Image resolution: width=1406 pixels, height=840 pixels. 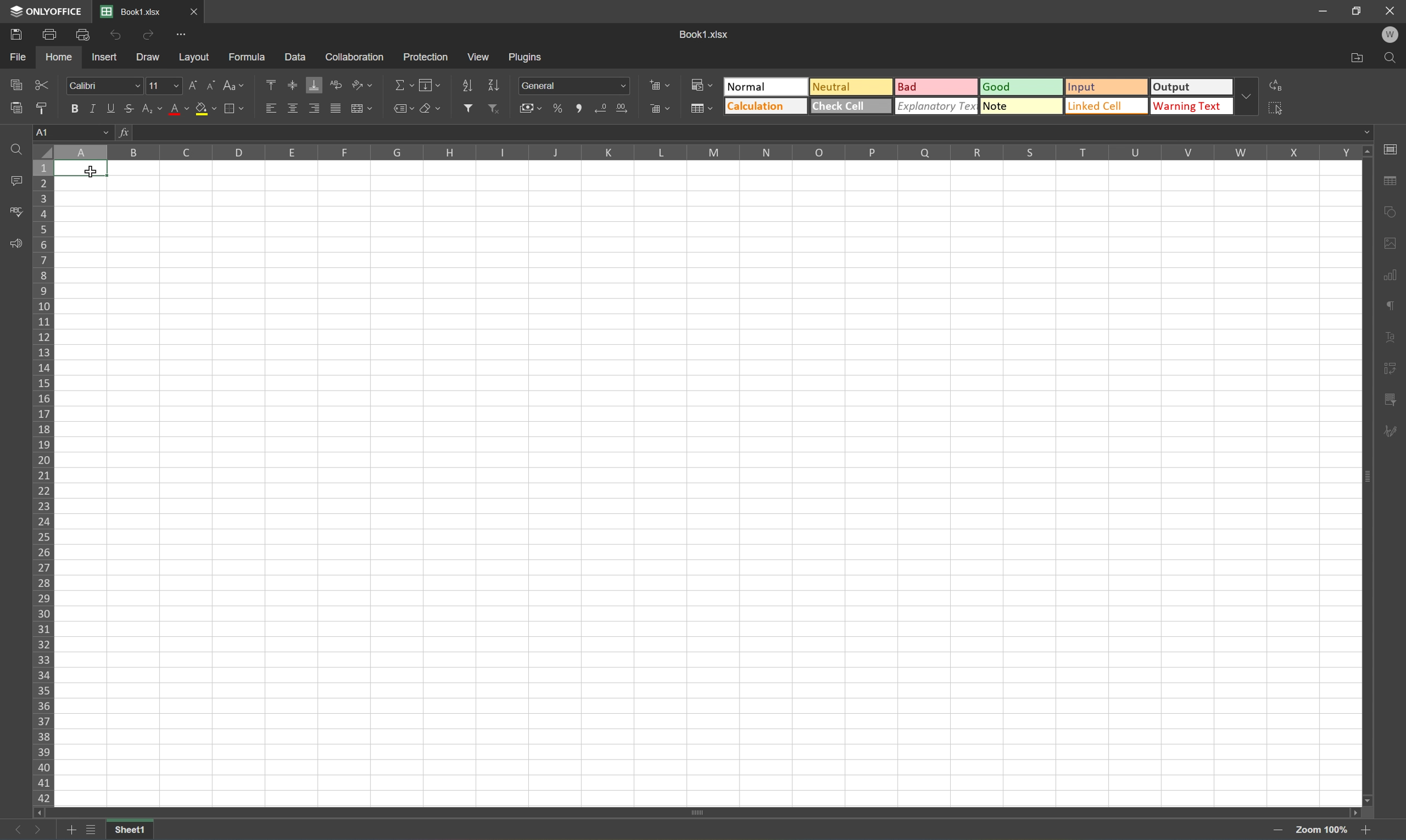 What do you see at coordinates (659, 108) in the screenshot?
I see `Delete cells` at bounding box center [659, 108].